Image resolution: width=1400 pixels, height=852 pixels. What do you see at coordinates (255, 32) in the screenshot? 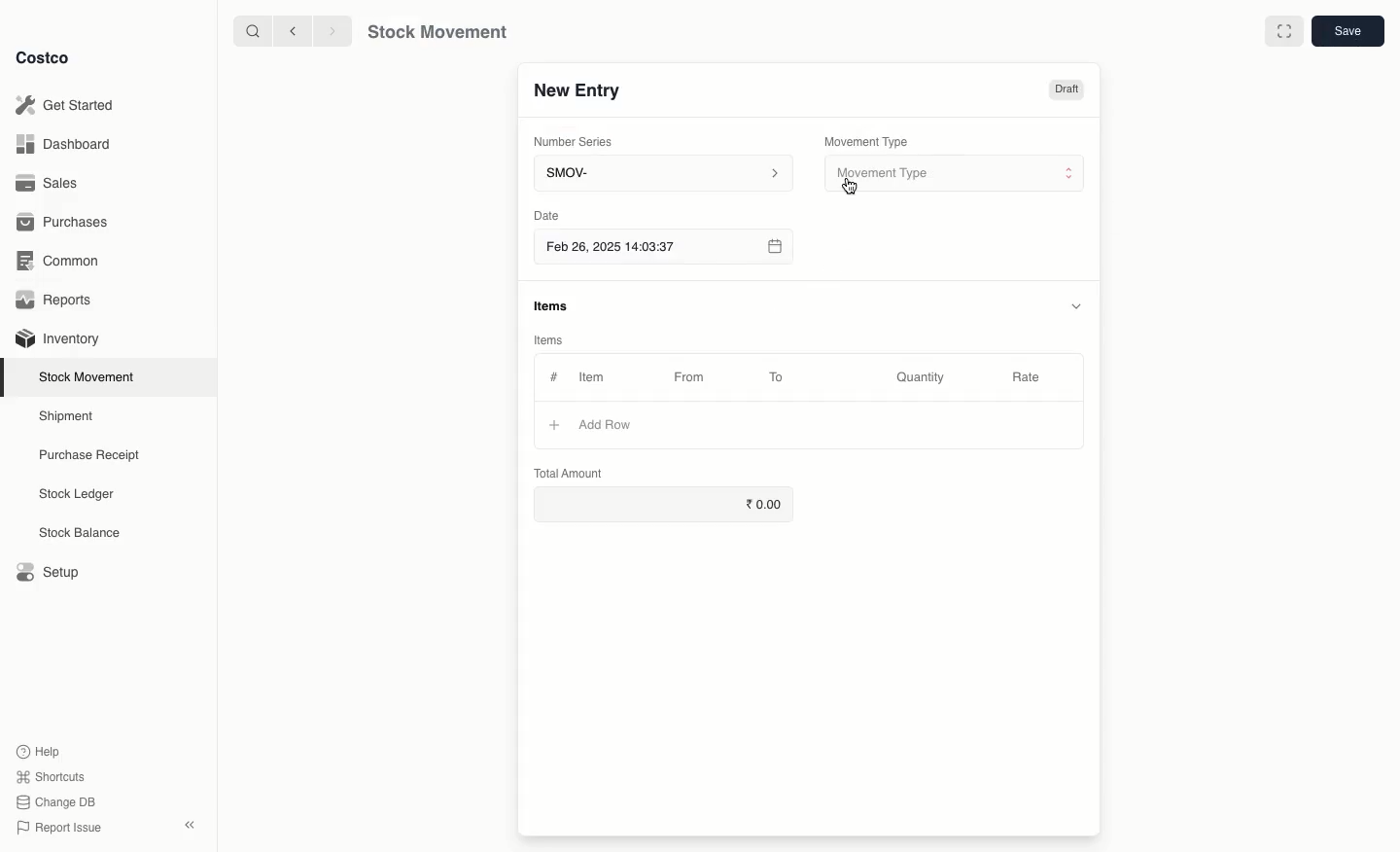
I see `search` at bounding box center [255, 32].